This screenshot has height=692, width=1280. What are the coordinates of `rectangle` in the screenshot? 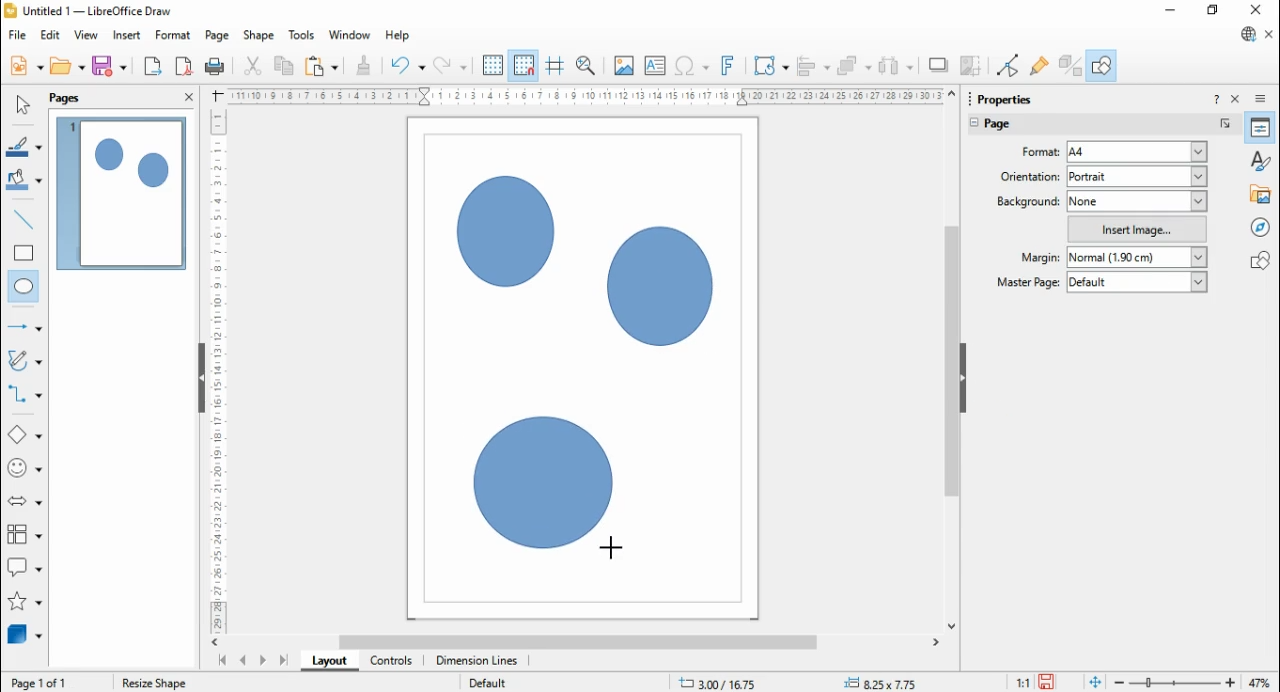 It's located at (24, 252).